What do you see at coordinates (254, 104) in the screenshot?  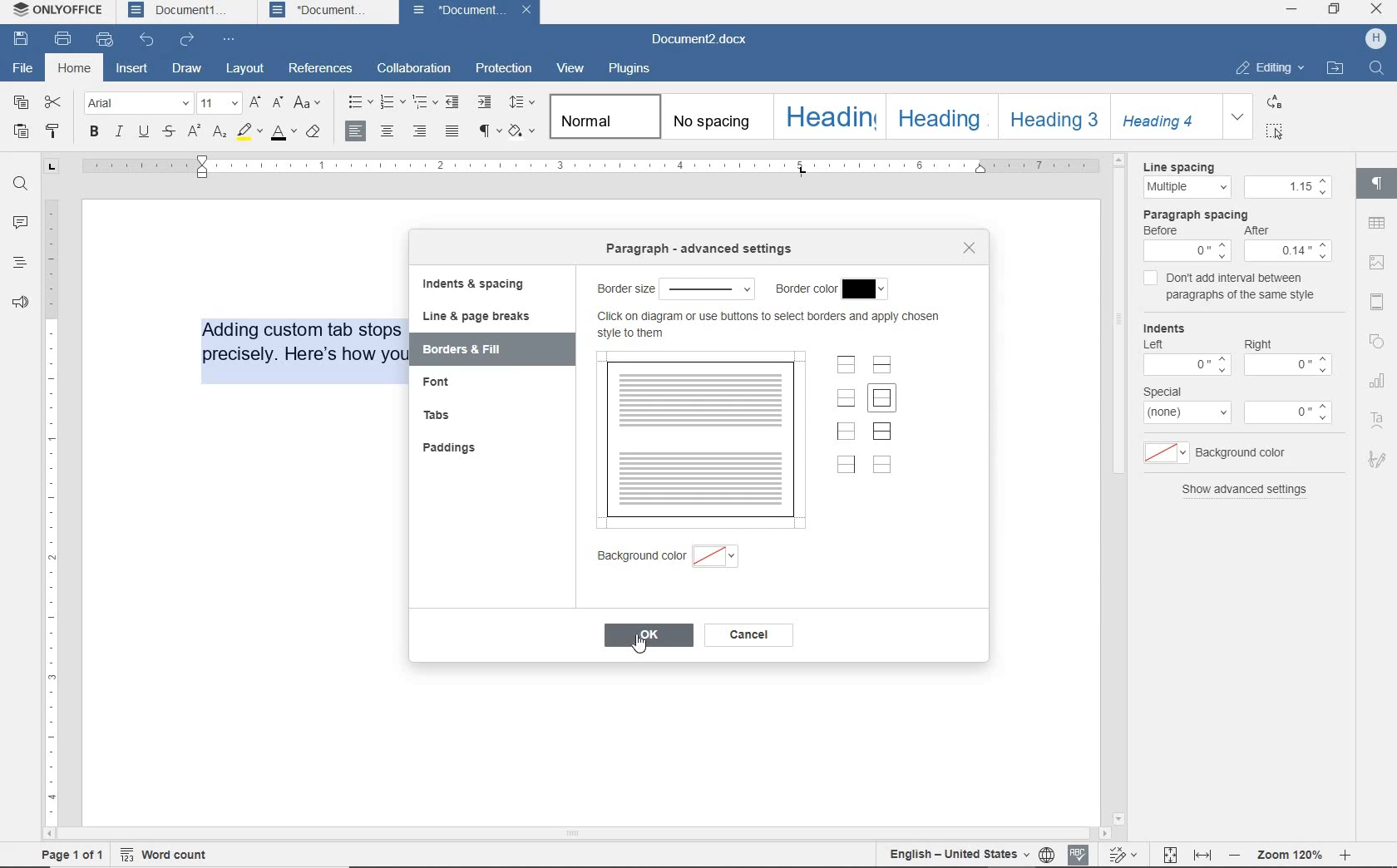 I see `increment font size` at bounding box center [254, 104].